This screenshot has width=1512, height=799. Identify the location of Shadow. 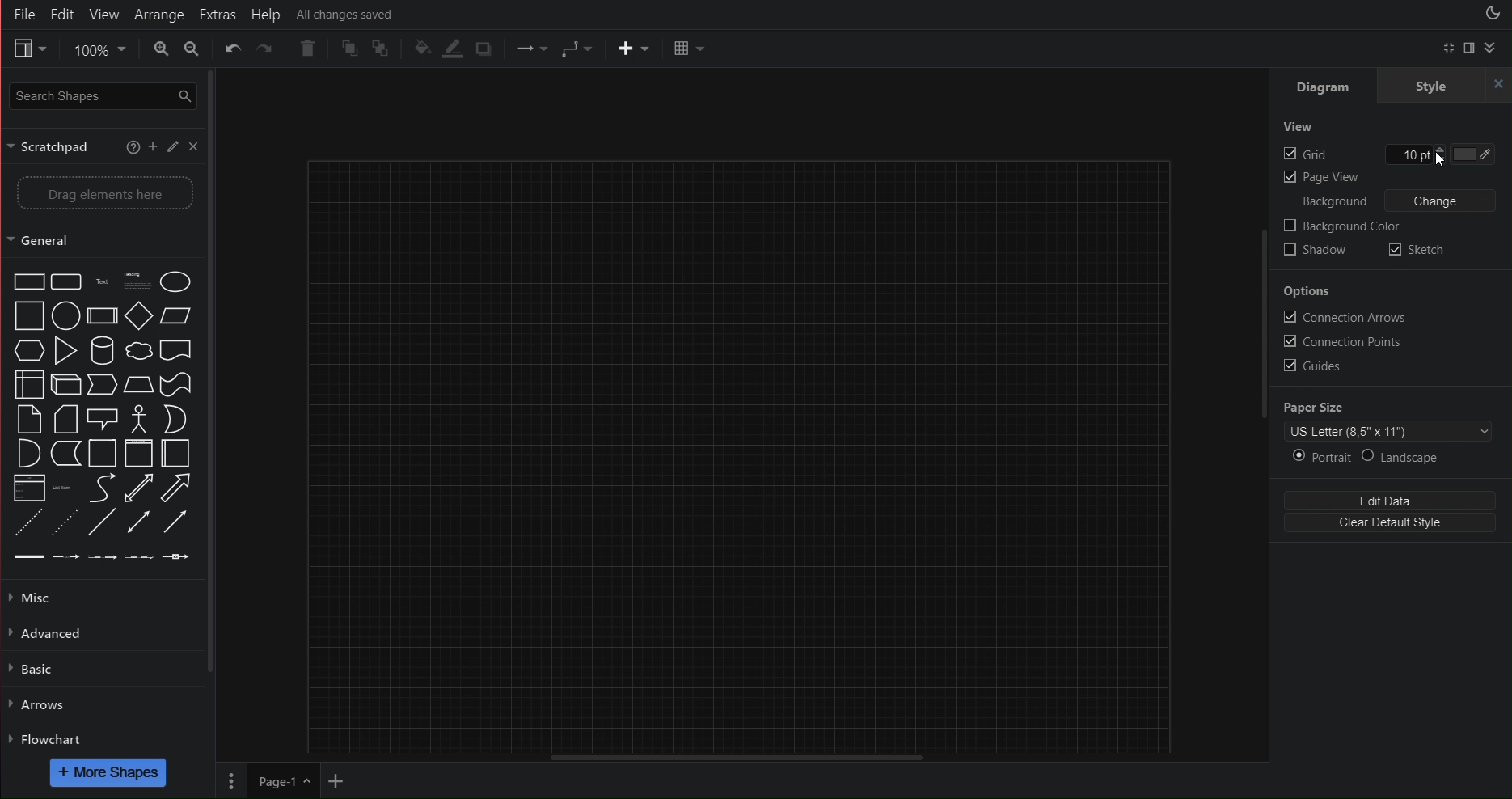
(489, 46).